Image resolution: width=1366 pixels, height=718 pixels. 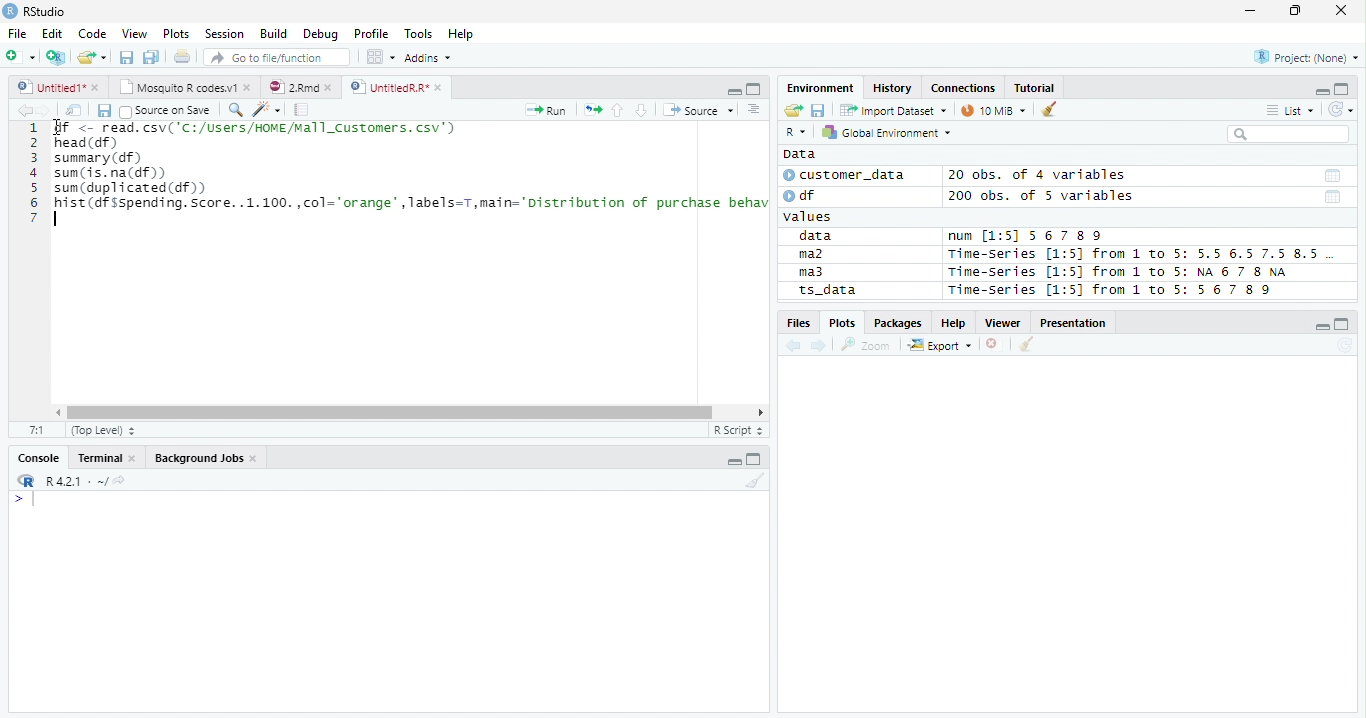 I want to click on Re-run, so click(x=592, y=111).